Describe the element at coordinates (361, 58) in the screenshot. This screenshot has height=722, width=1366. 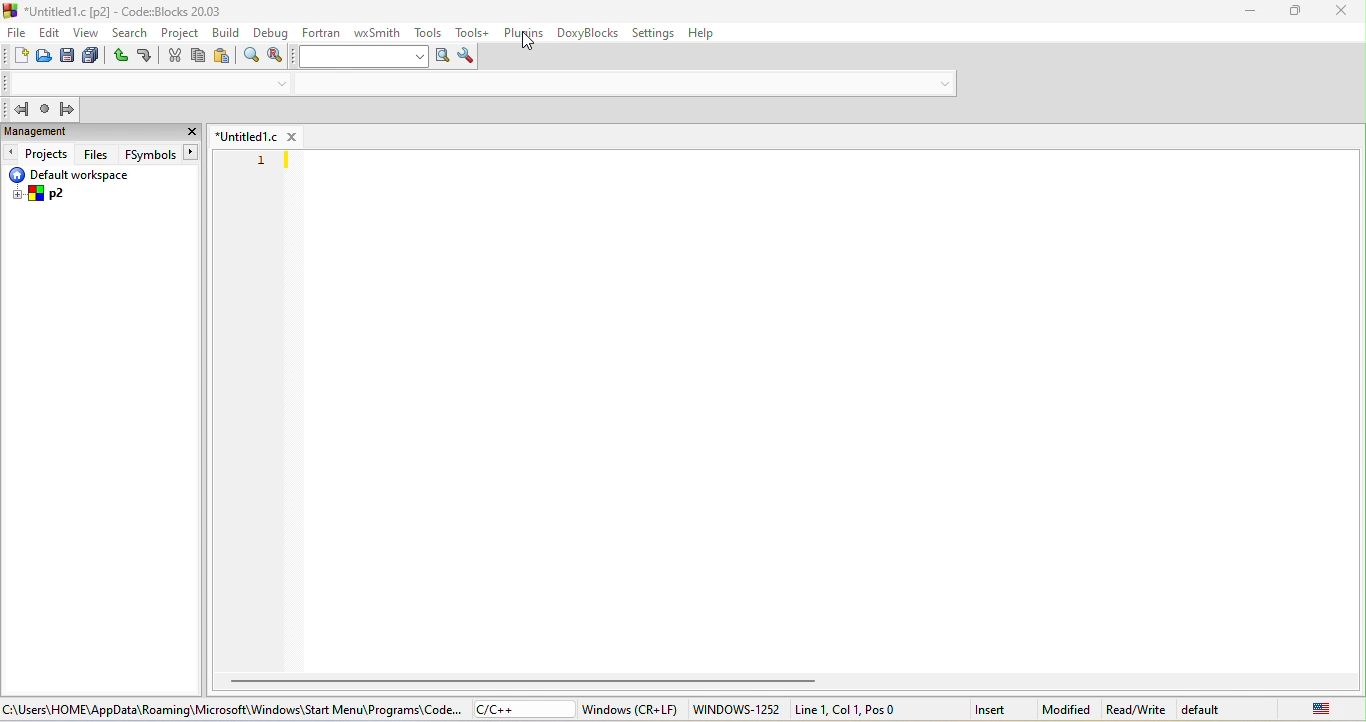
I see `search text box` at that location.